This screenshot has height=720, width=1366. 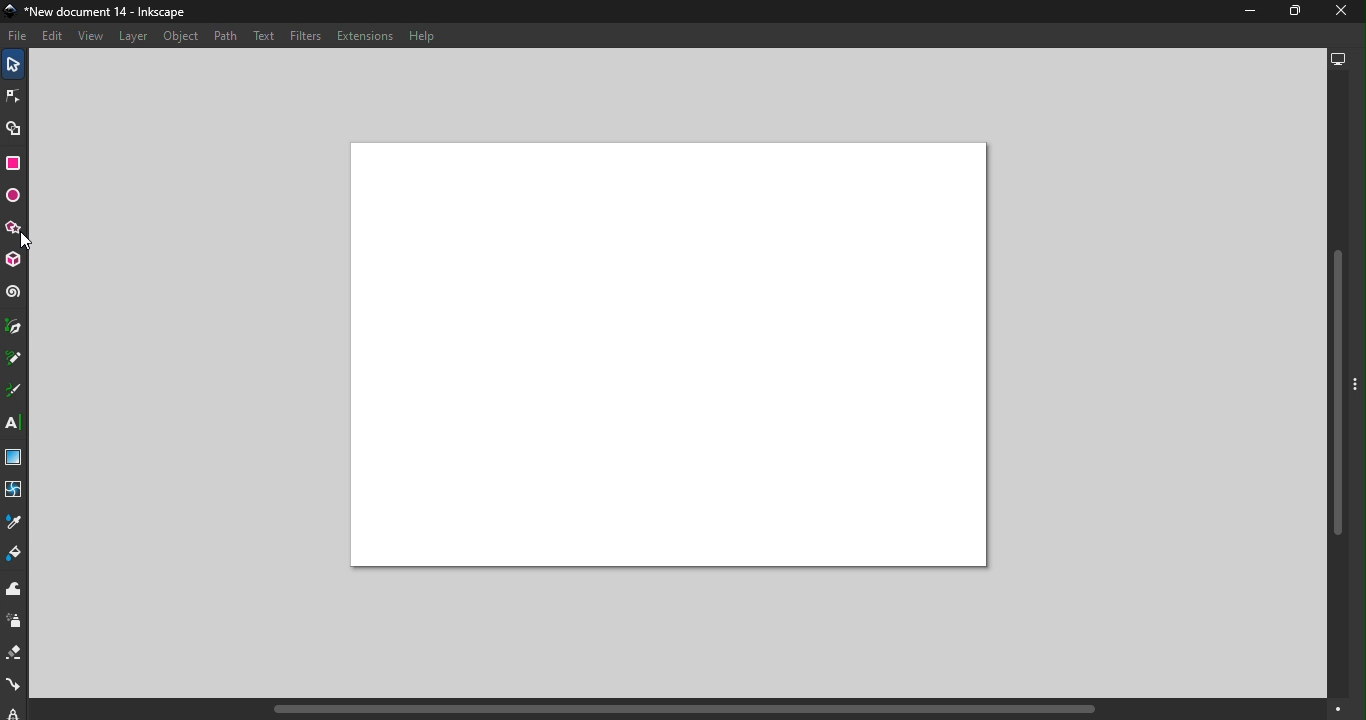 I want to click on Horizontal scroll bar, so click(x=689, y=709).